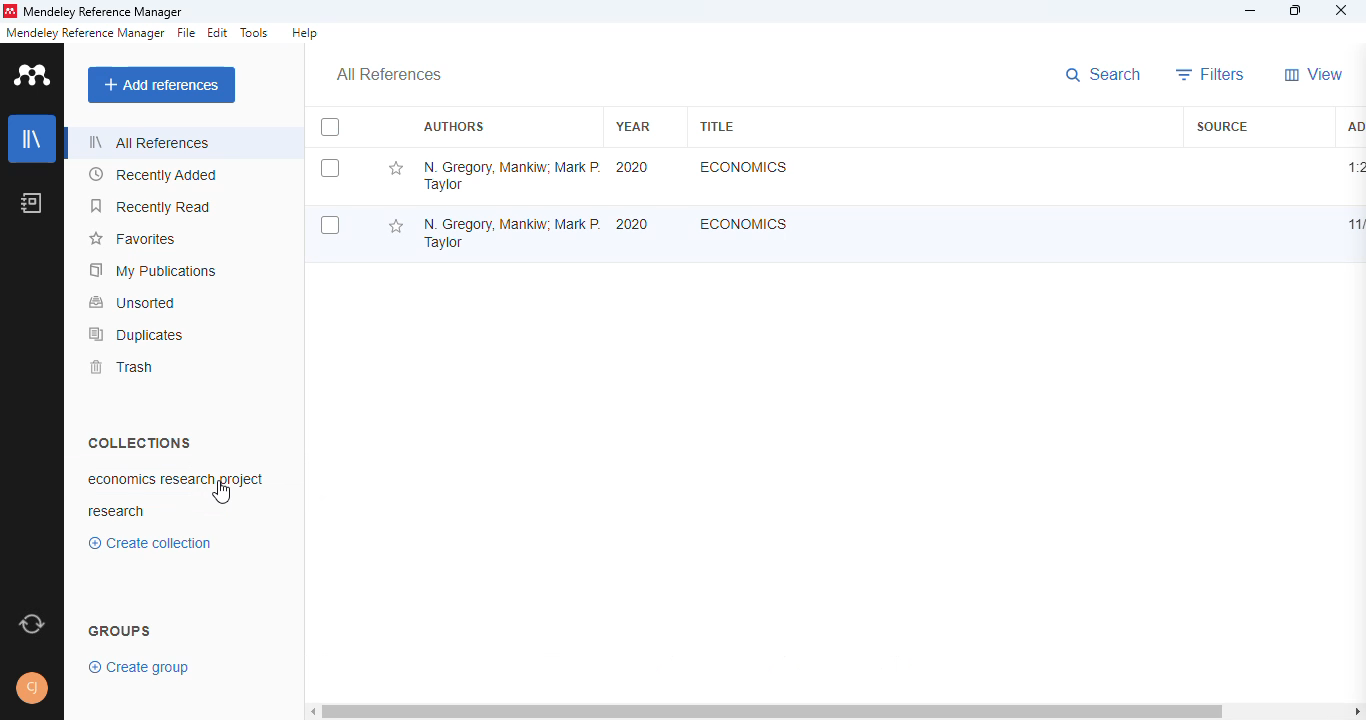 The image size is (1366, 720). I want to click on 2020, so click(632, 224).